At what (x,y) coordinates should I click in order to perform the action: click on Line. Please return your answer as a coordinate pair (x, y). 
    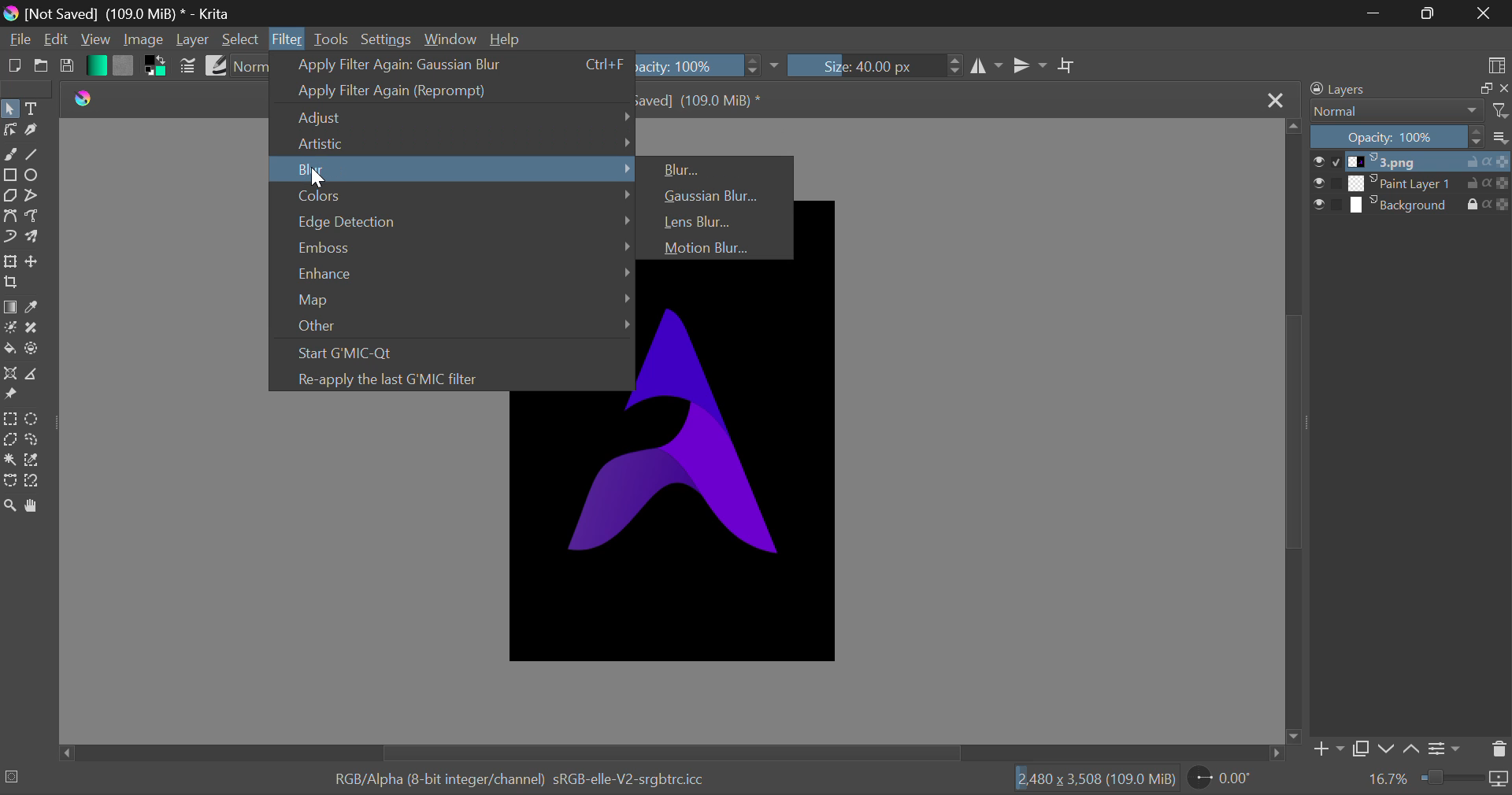
    Looking at the image, I should click on (34, 153).